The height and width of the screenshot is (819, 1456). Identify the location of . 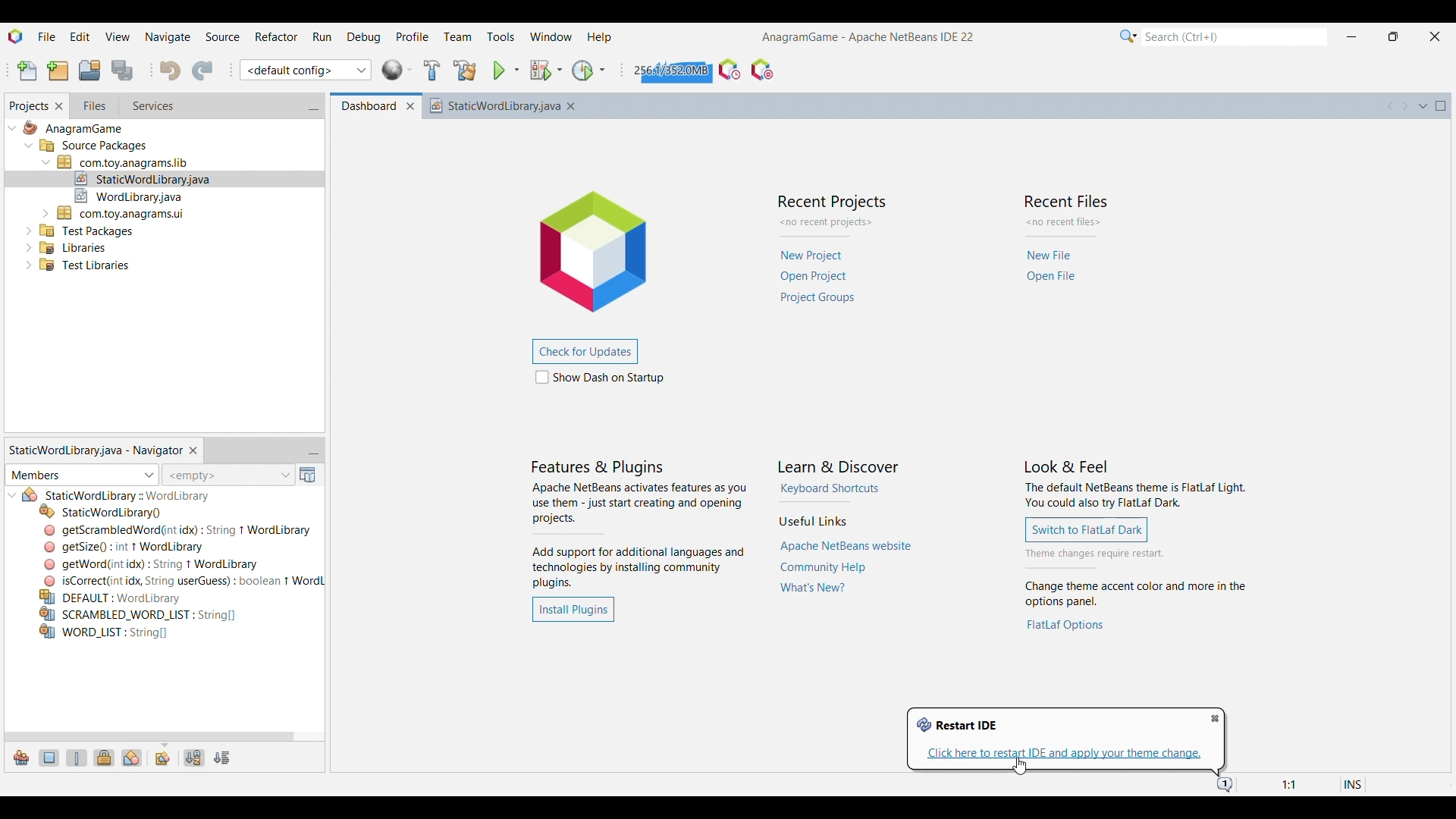
(104, 634).